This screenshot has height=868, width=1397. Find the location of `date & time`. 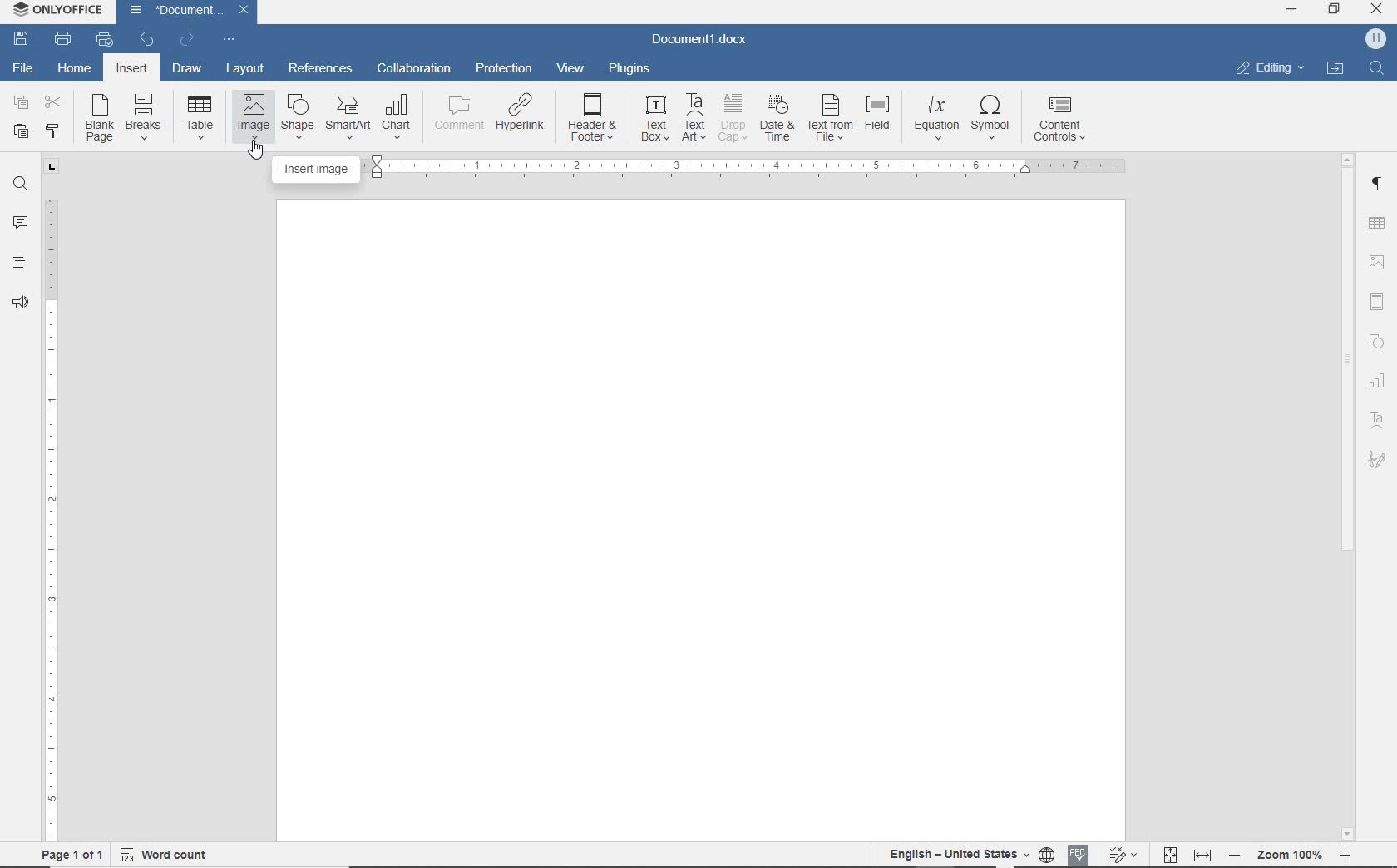

date & time is located at coordinates (778, 116).